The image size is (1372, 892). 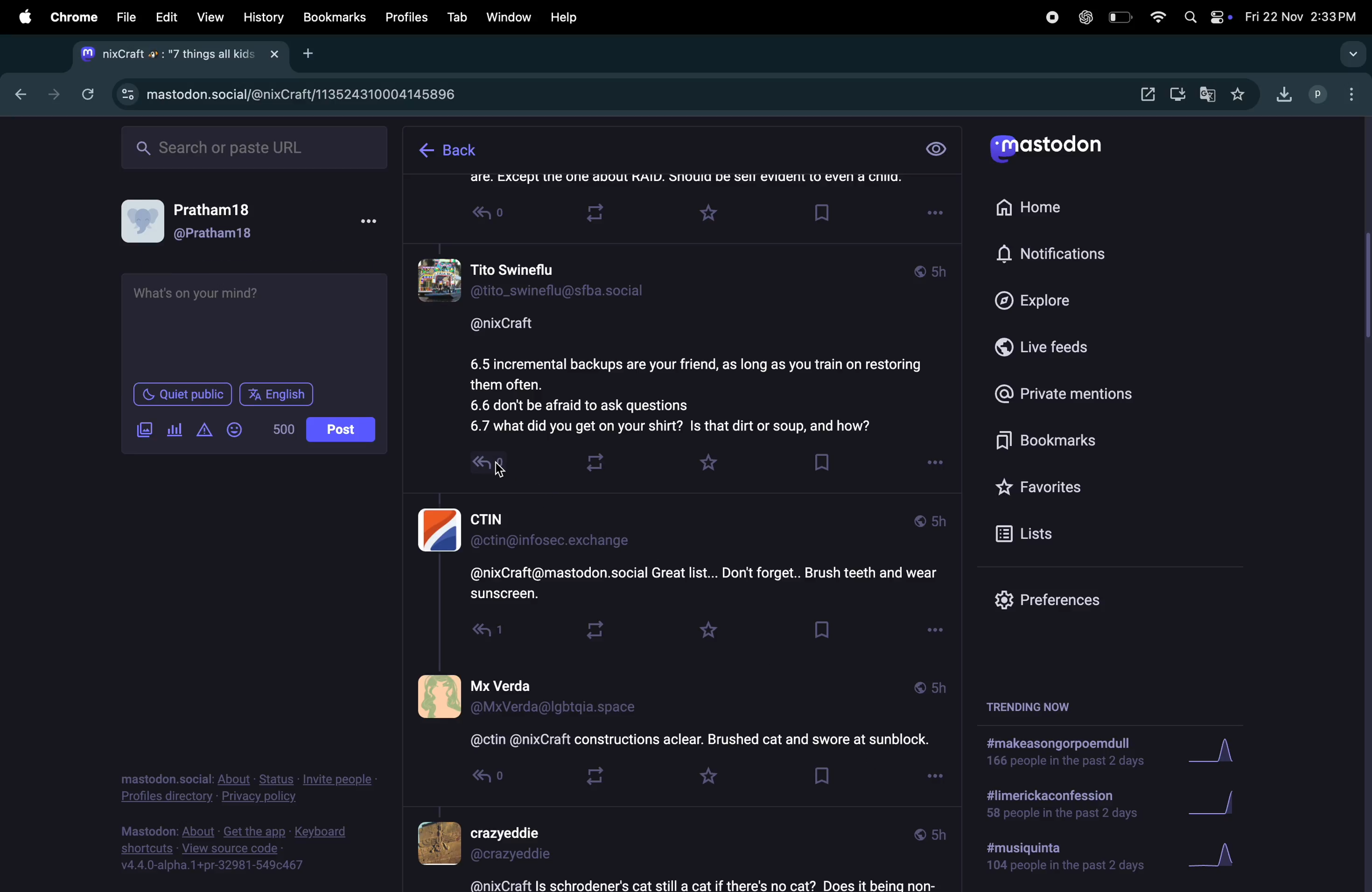 I want to click on Favourite, so click(x=712, y=214).